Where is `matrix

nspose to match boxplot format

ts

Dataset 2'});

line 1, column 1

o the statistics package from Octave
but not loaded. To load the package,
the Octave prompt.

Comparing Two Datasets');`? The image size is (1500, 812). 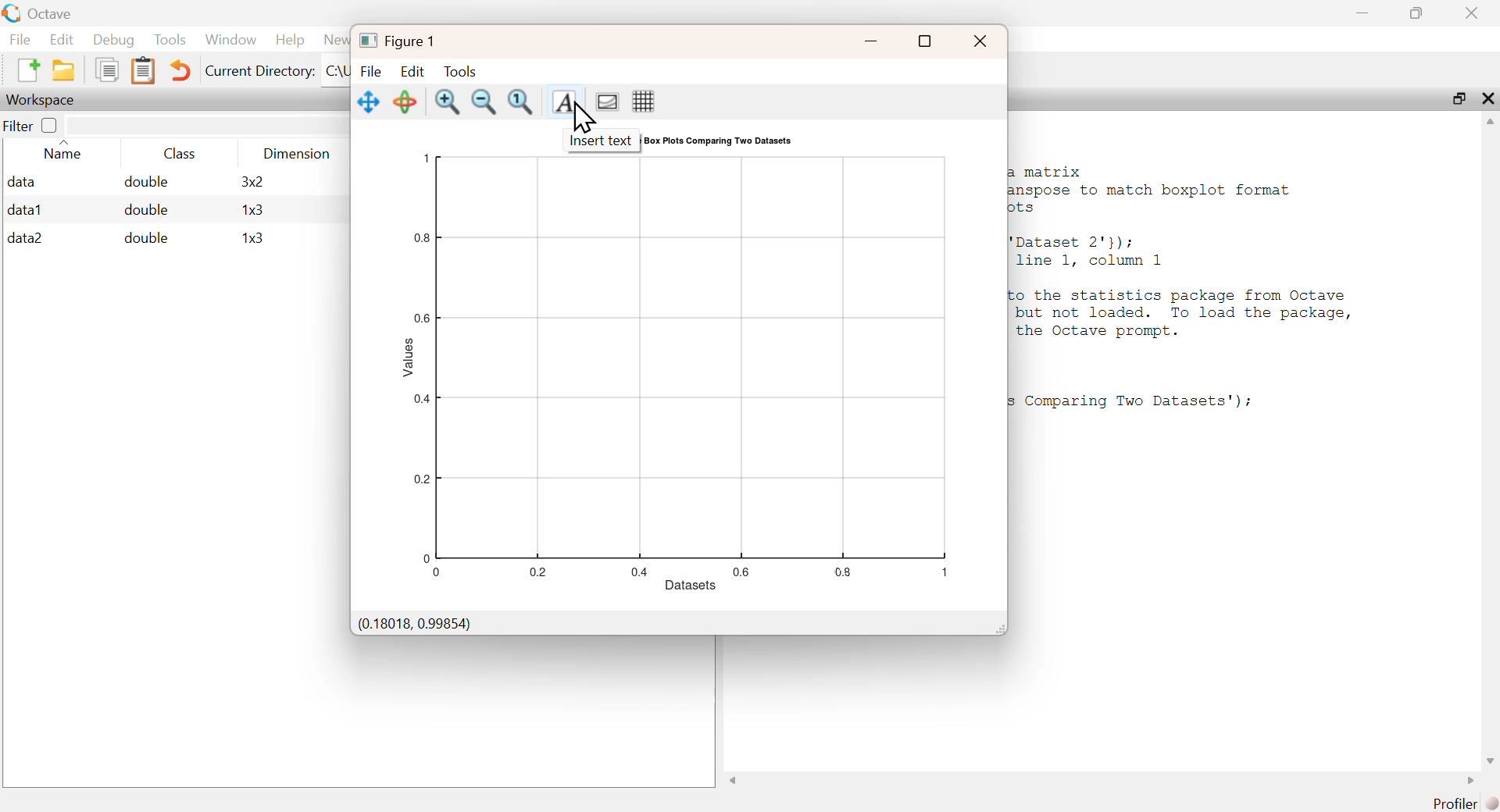
matrix

nspose to match boxplot format

ts

Dataset 2'});

line 1, column 1

o the statistics package from Octave
but not loaded. To load the package,
the Octave prompt.

Comparing Two Datasets'); is located at coordinates (1185, 285).